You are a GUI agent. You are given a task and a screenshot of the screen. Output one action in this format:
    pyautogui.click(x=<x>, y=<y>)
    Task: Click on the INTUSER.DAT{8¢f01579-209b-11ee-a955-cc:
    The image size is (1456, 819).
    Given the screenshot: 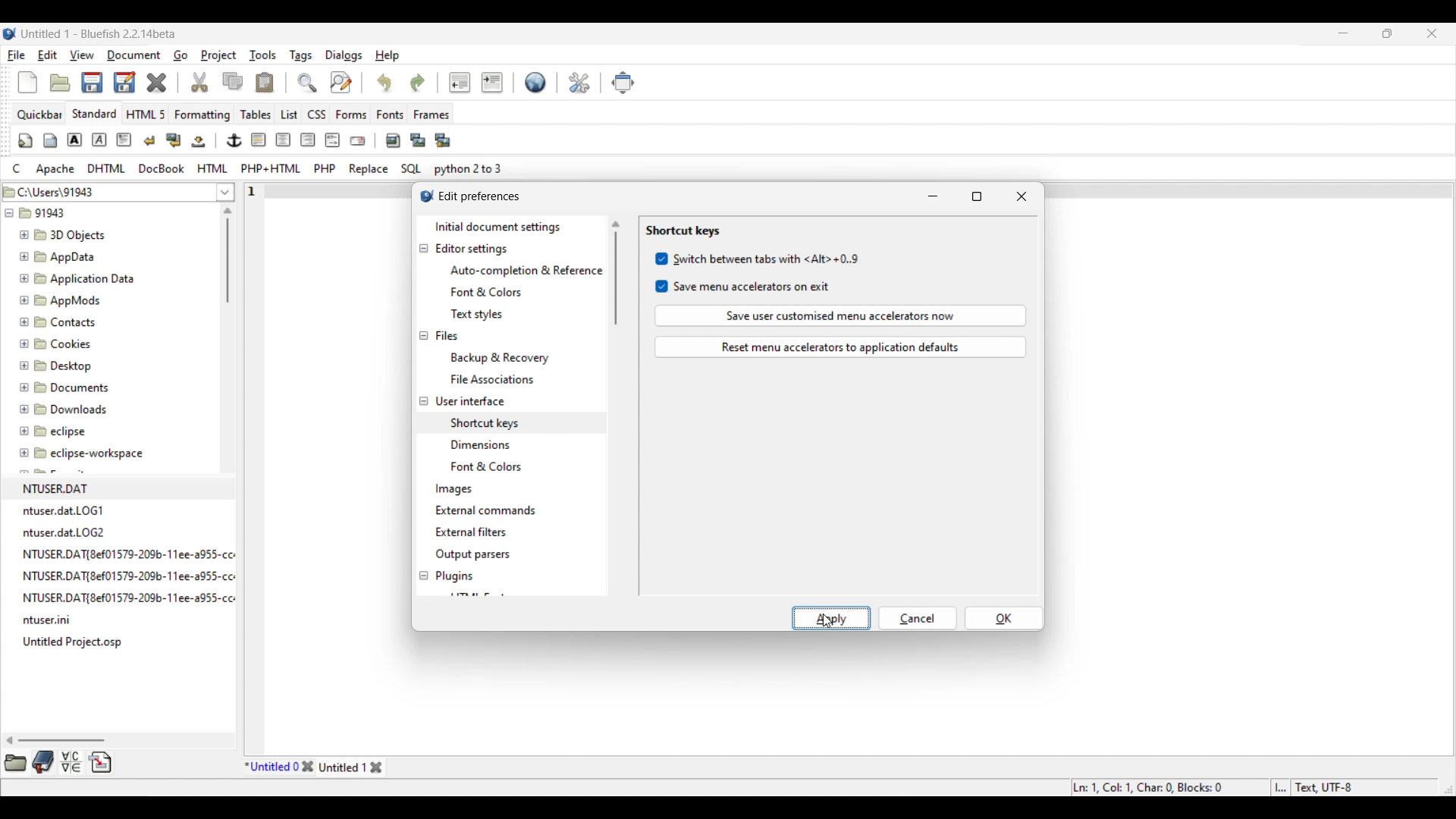 What is the action you would take?
    pyautogui.click(x=137, y=576)
    